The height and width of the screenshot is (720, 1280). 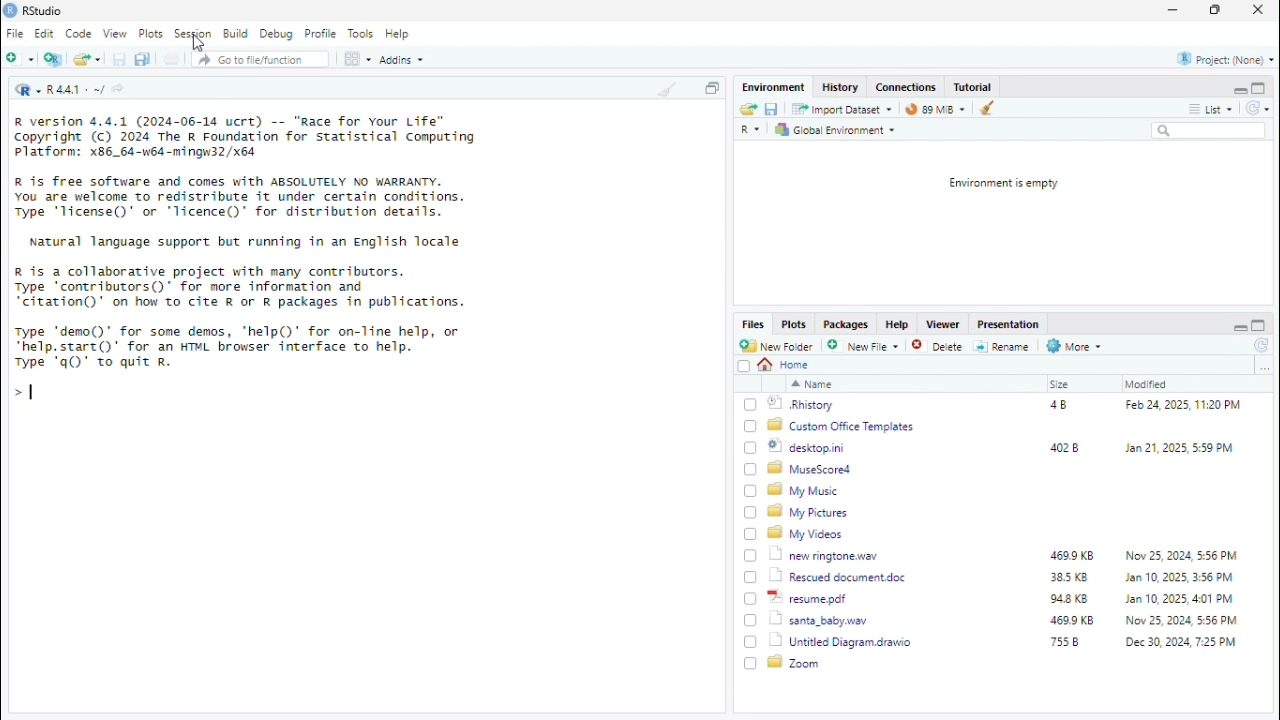 What do you see at coordinates (87, 57) in the screenshot?
I see `open file` at bounding box center [87, 57].